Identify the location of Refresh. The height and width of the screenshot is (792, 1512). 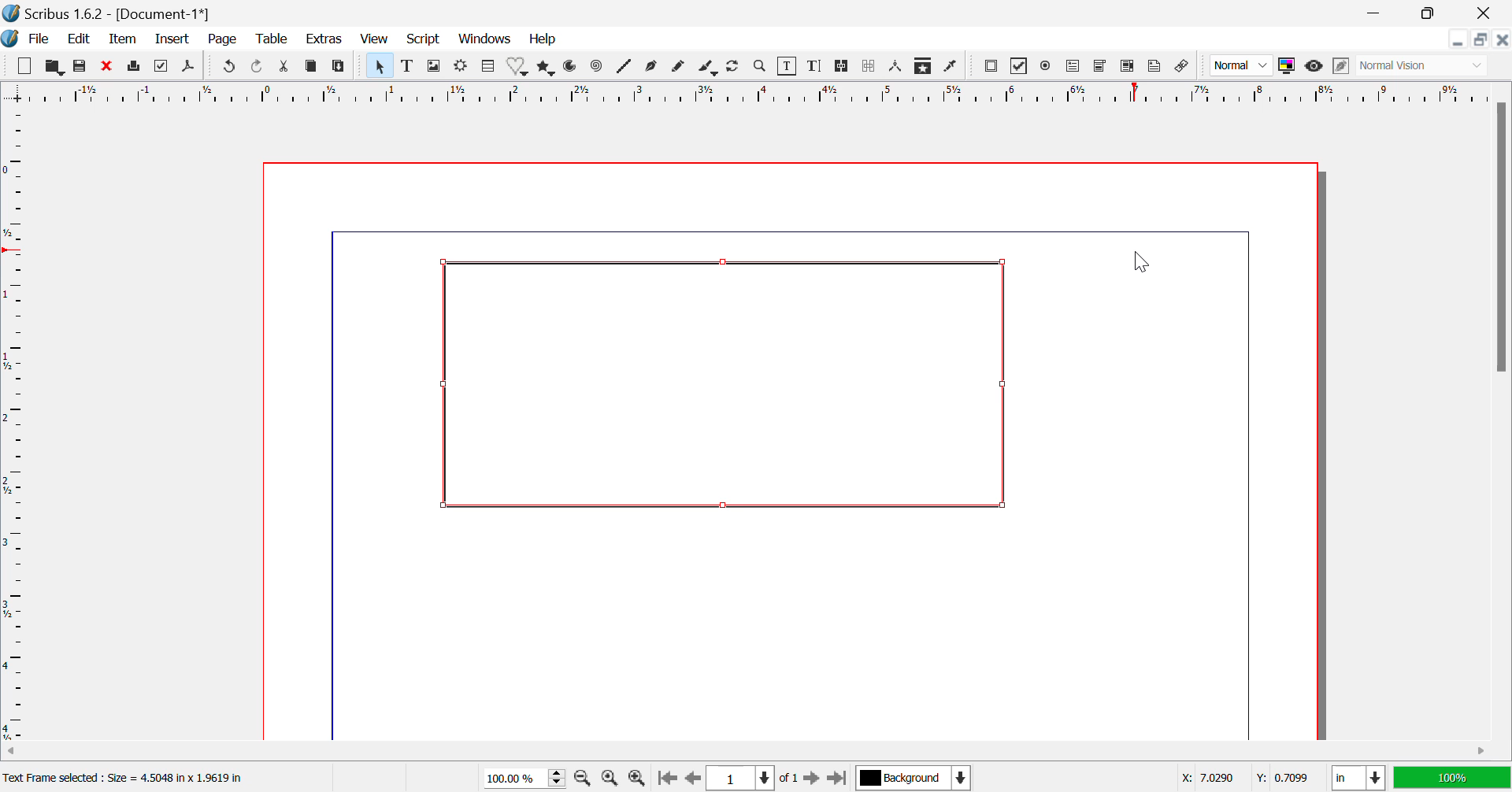
(736, 68).